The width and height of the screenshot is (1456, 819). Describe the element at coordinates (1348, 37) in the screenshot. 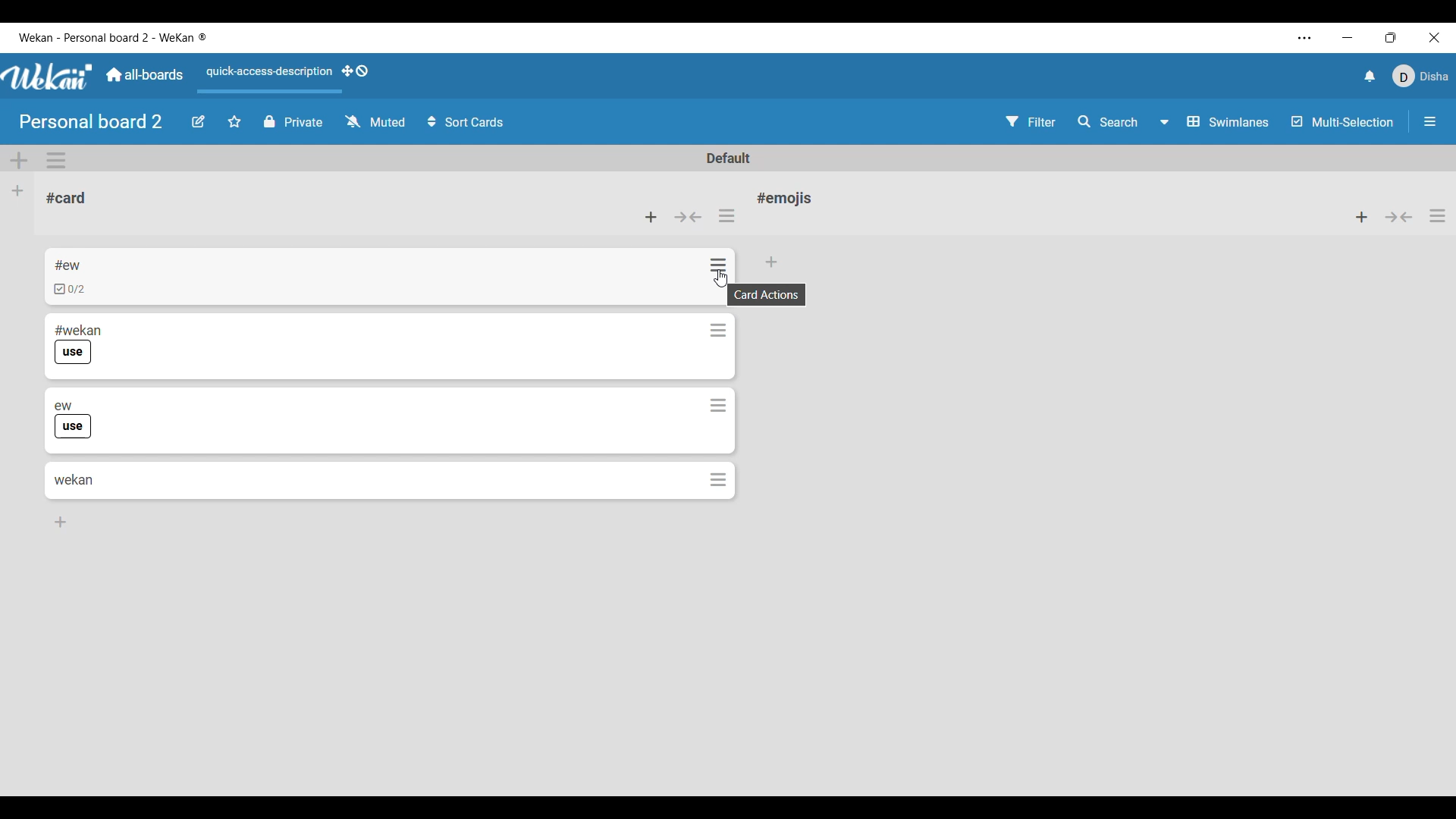

I see `Minimize` at that location.